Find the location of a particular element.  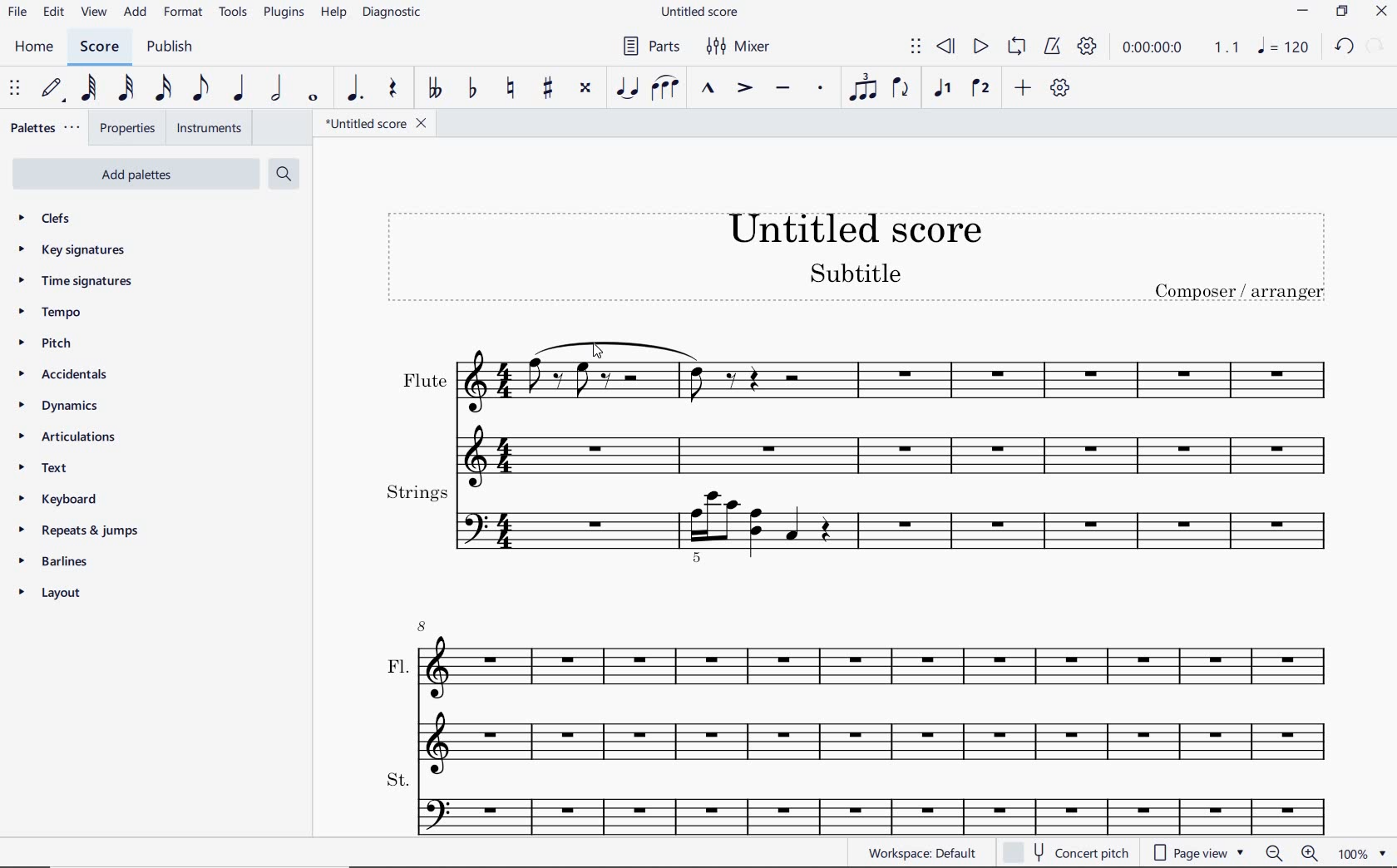

articulations is located at coordinates (68, 437).